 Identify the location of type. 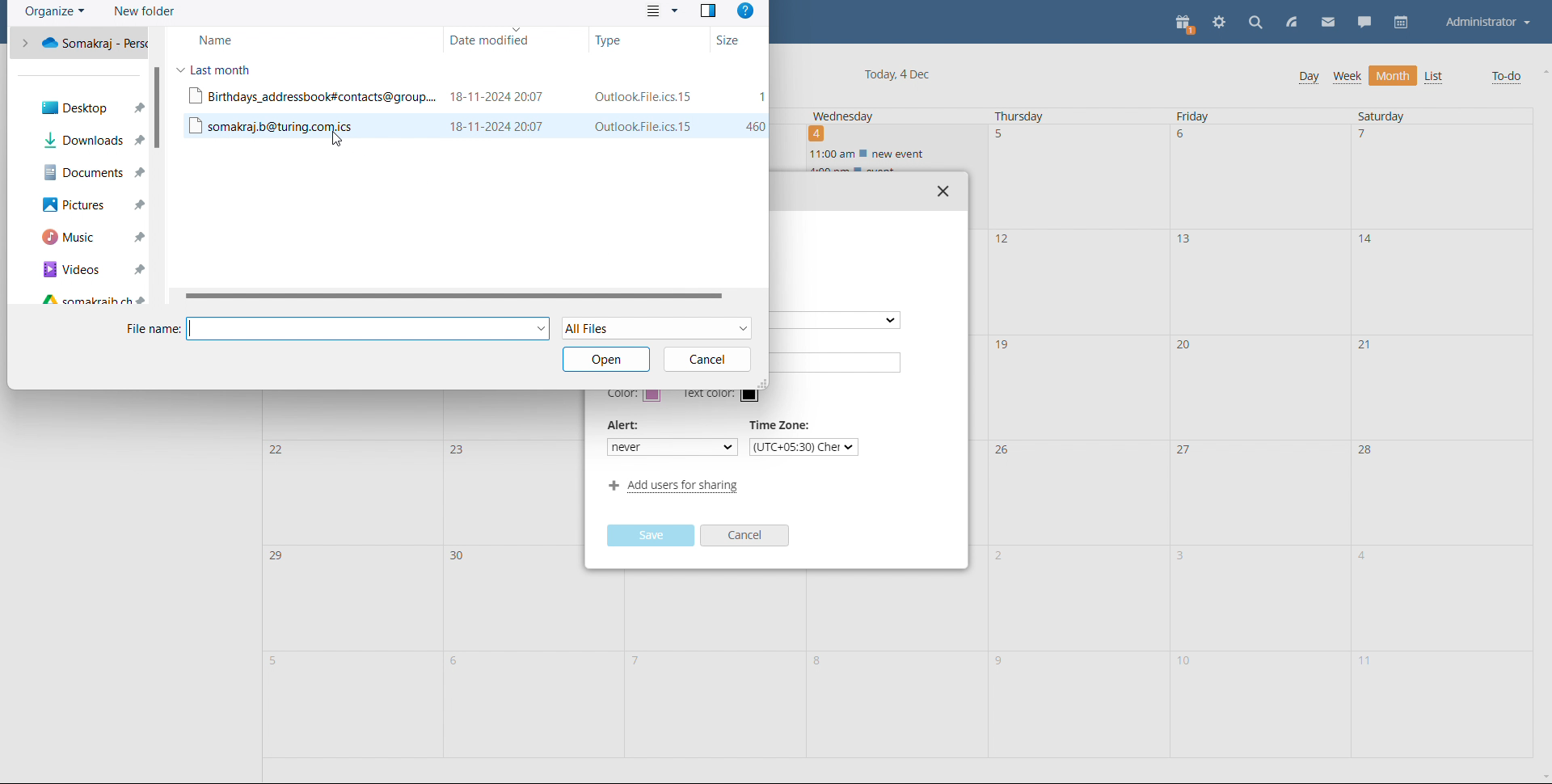
(639, 39).